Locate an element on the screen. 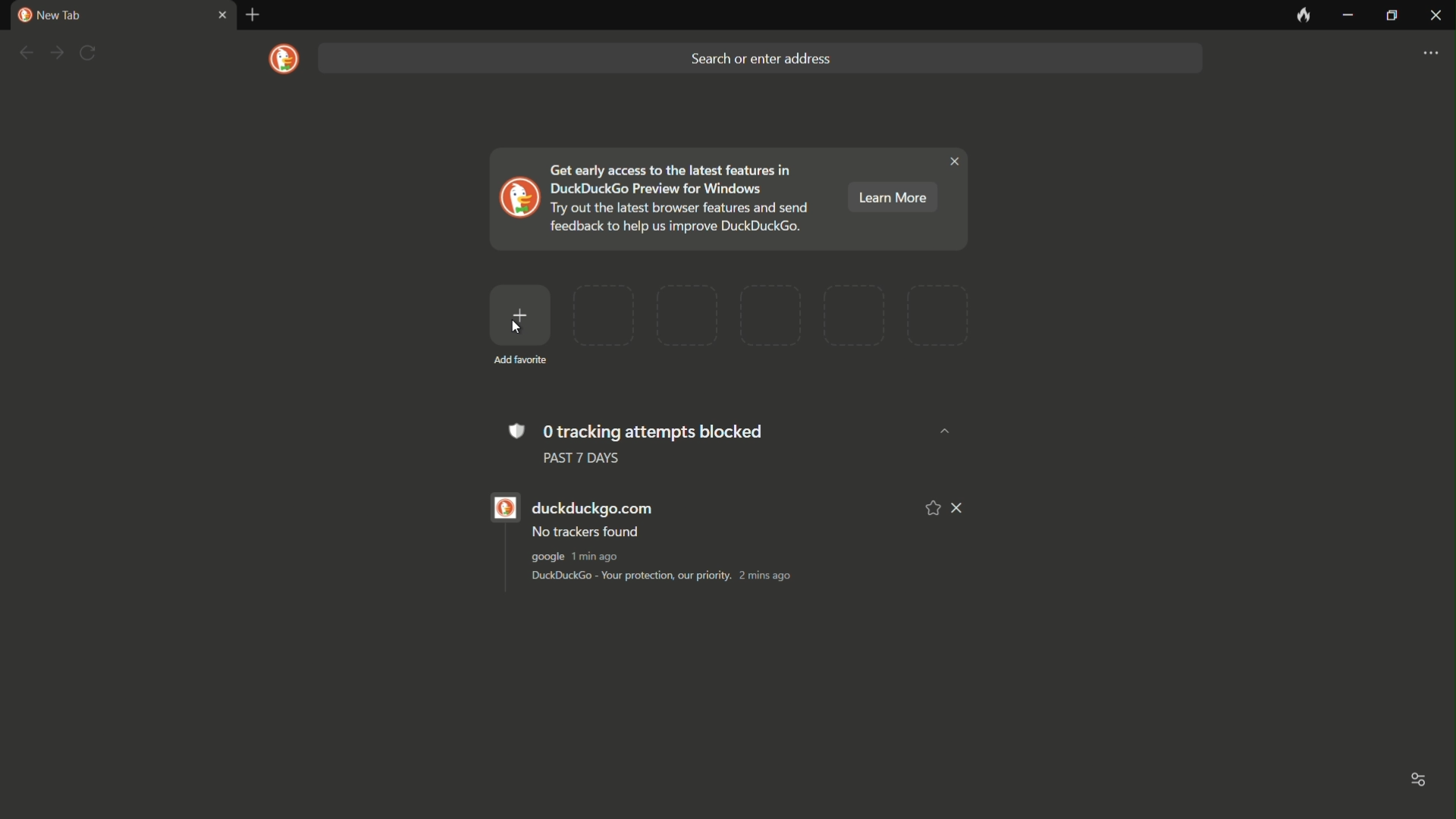 The width and height of the screenshot is (1456, 819). leave no trace is located at coordinates (1302, 16).